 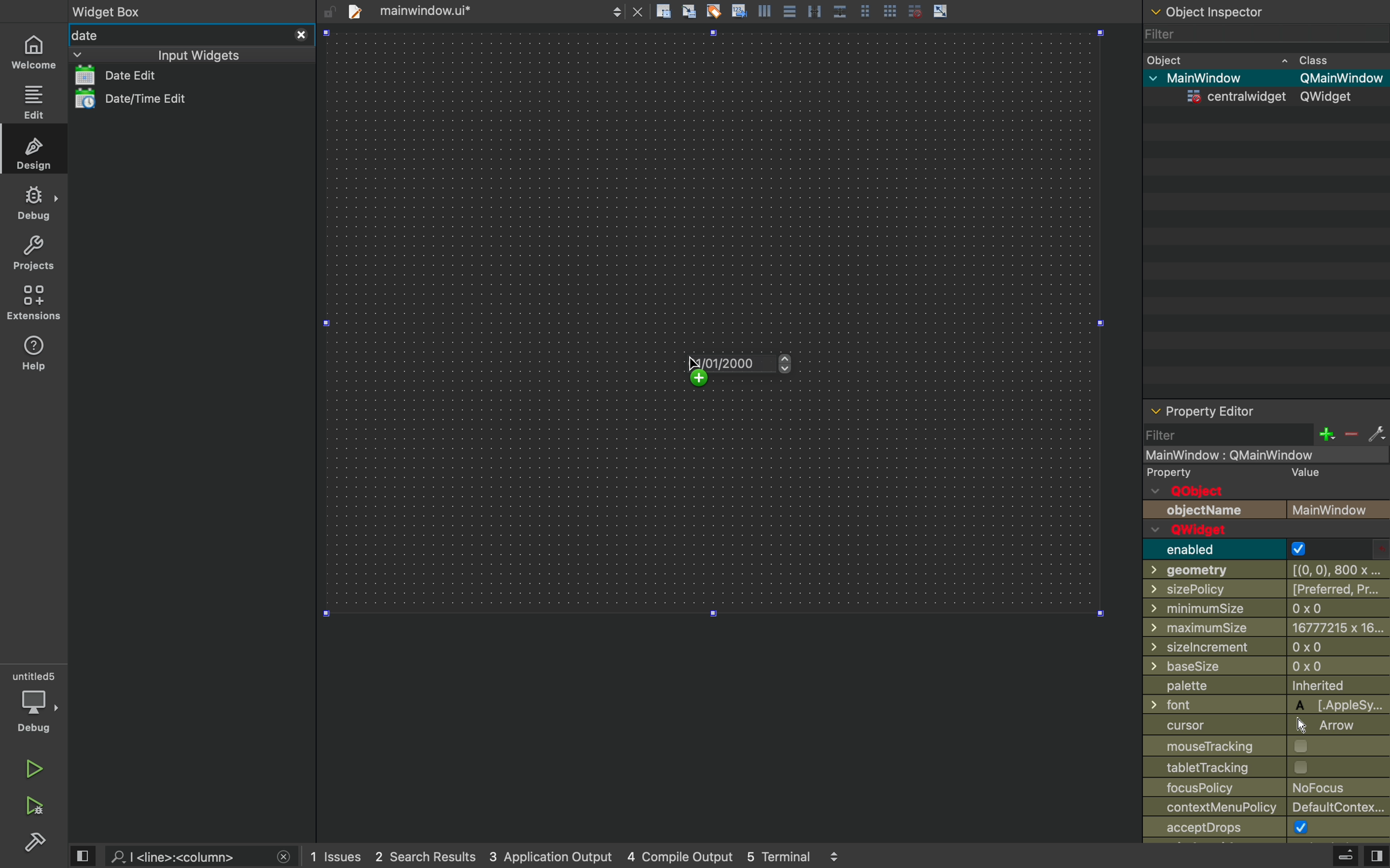 What do you see at coordinates (34, 768) in the screenshot?
I see `run` at bounding box center [34, 768].